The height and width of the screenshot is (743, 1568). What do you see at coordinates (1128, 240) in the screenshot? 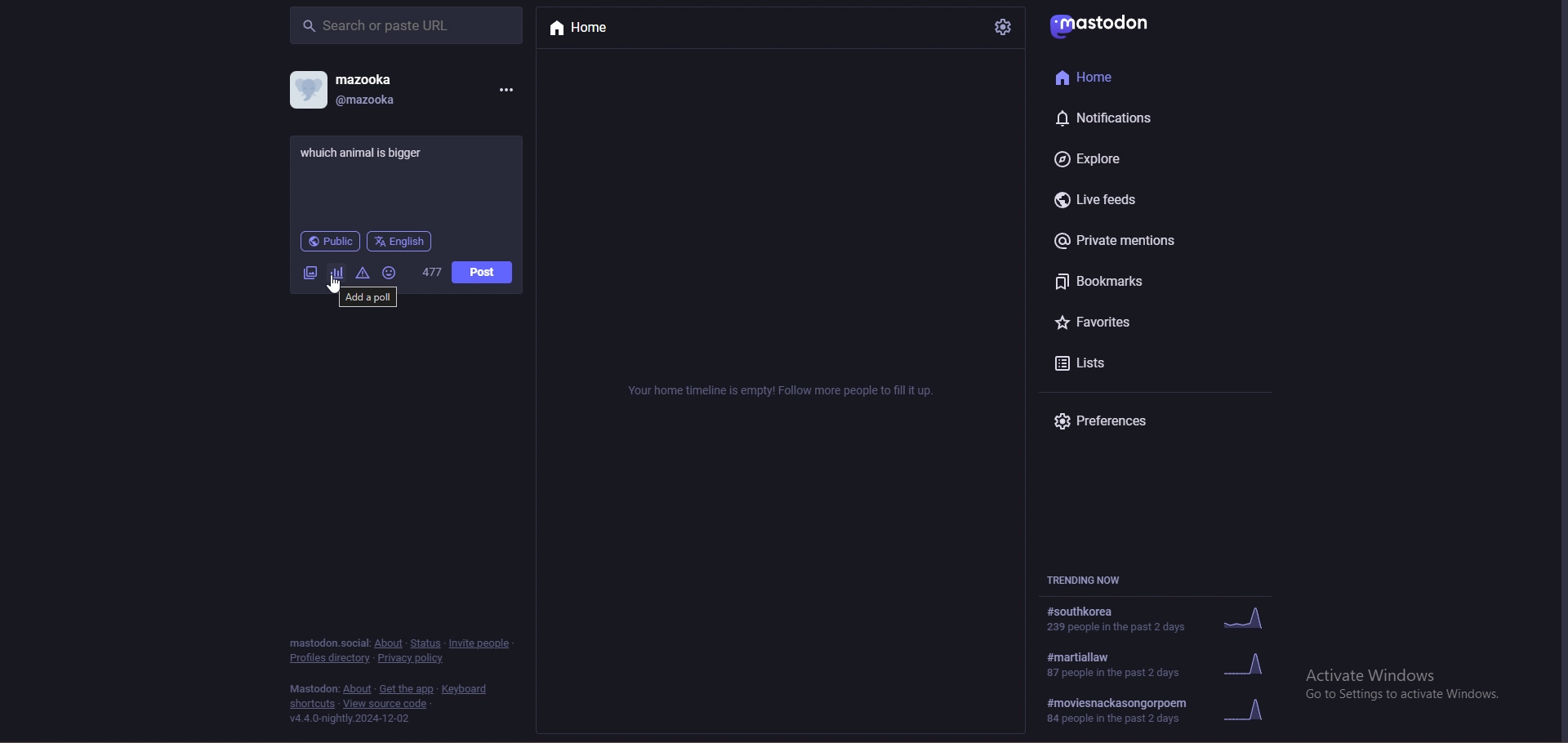
I see `private mentions` at bounding box center [1128, 240].